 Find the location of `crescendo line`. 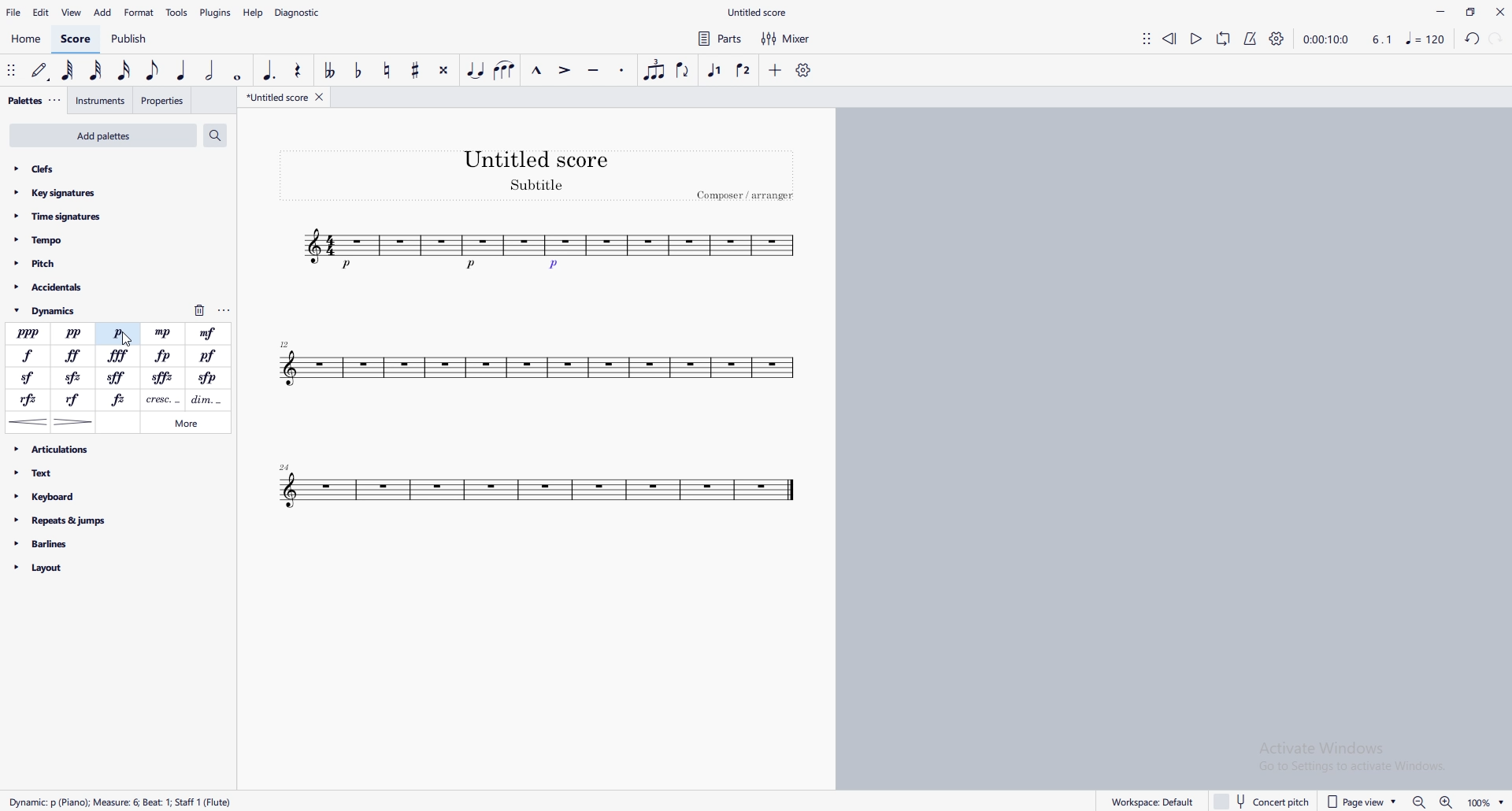

crescendo line is located at coordinates (162, 401).